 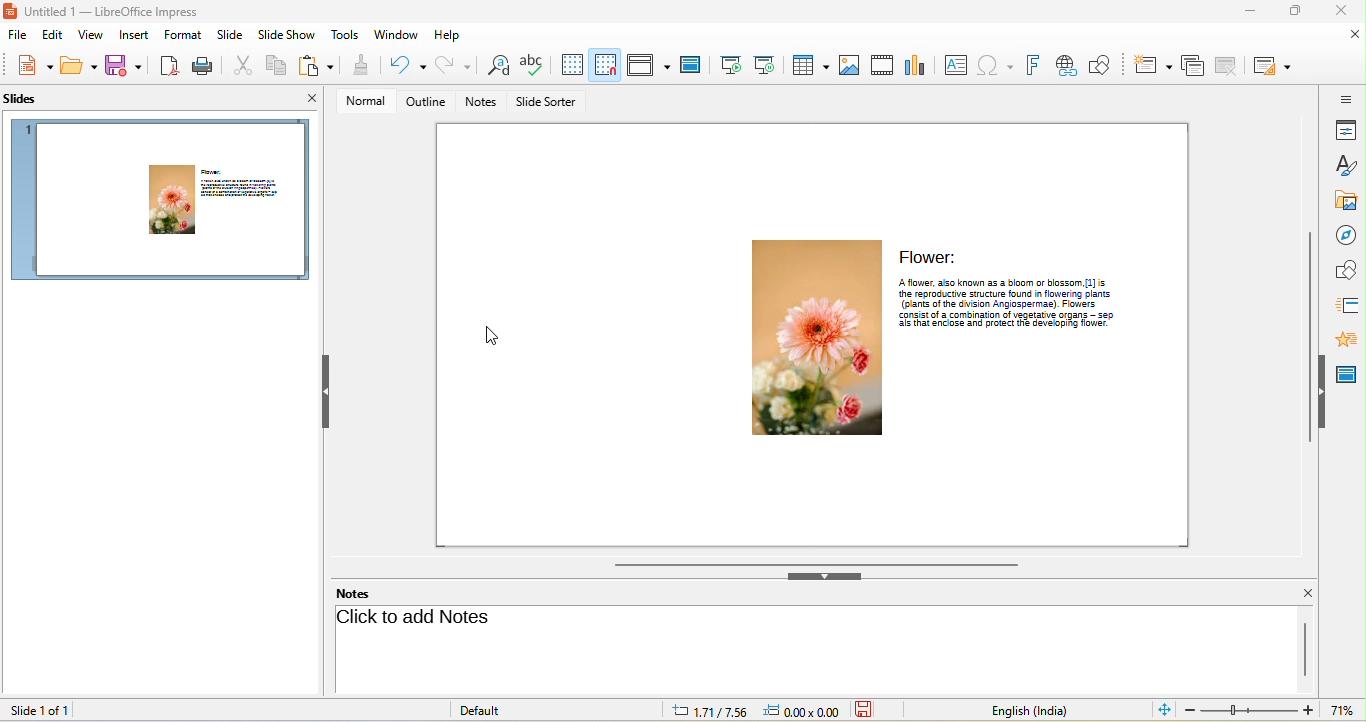 I want to click on start from current slide, so click(x=767, y=65).